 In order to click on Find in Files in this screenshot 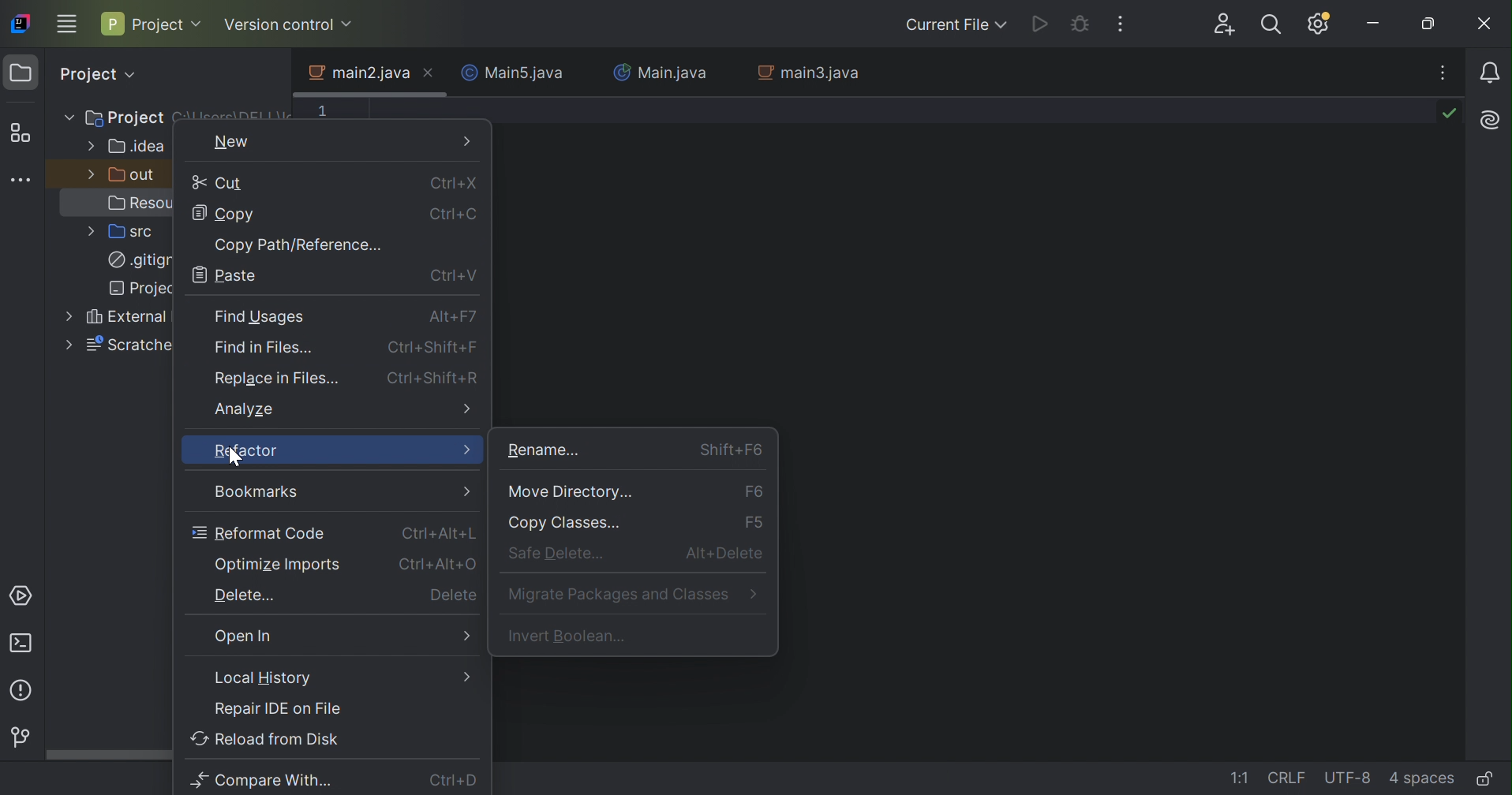, I will do `click(263, 348)`.